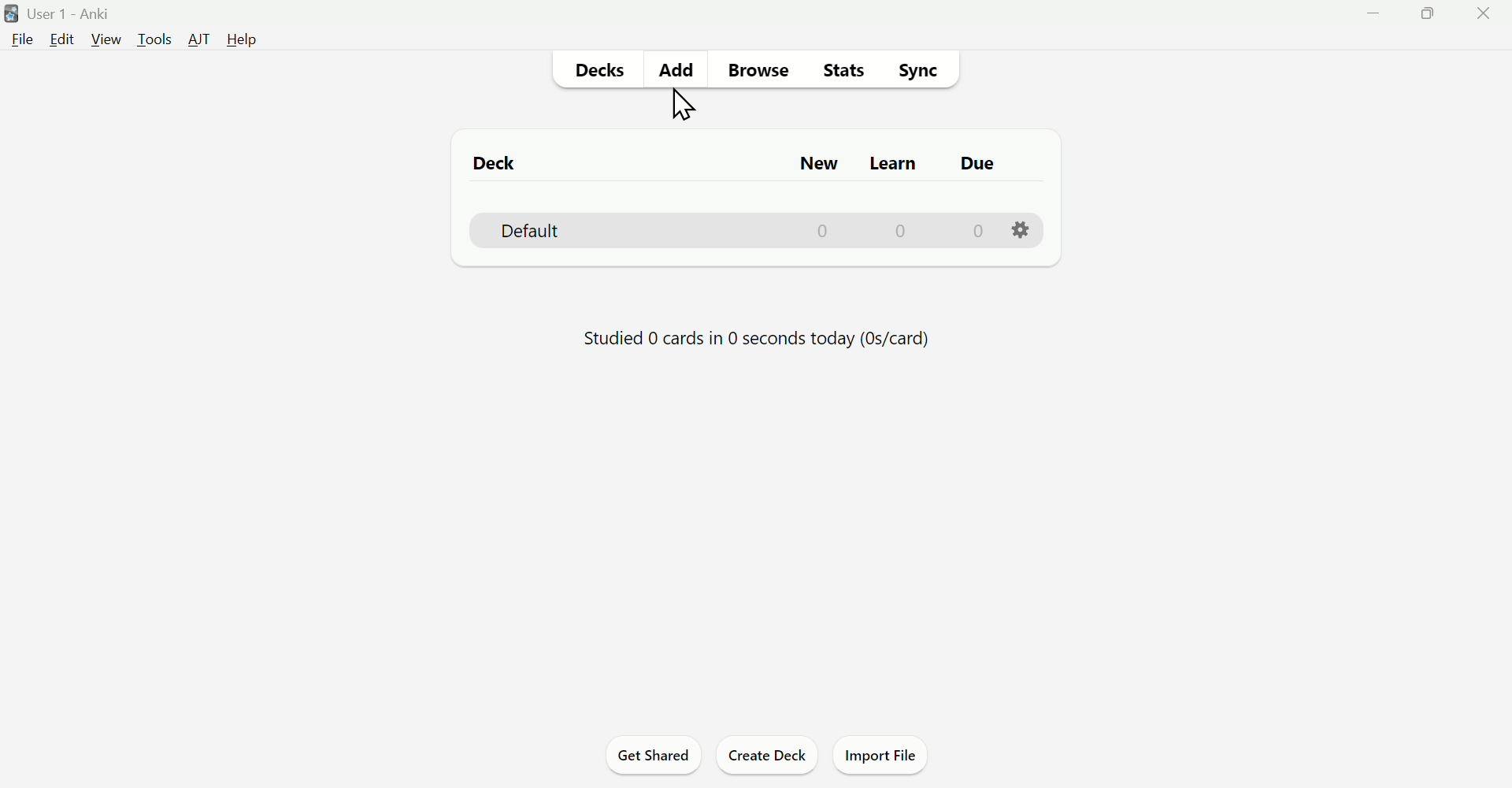  Describe the element at coordinates (486, 161) in the screenshot. I see `Deck` at that location.